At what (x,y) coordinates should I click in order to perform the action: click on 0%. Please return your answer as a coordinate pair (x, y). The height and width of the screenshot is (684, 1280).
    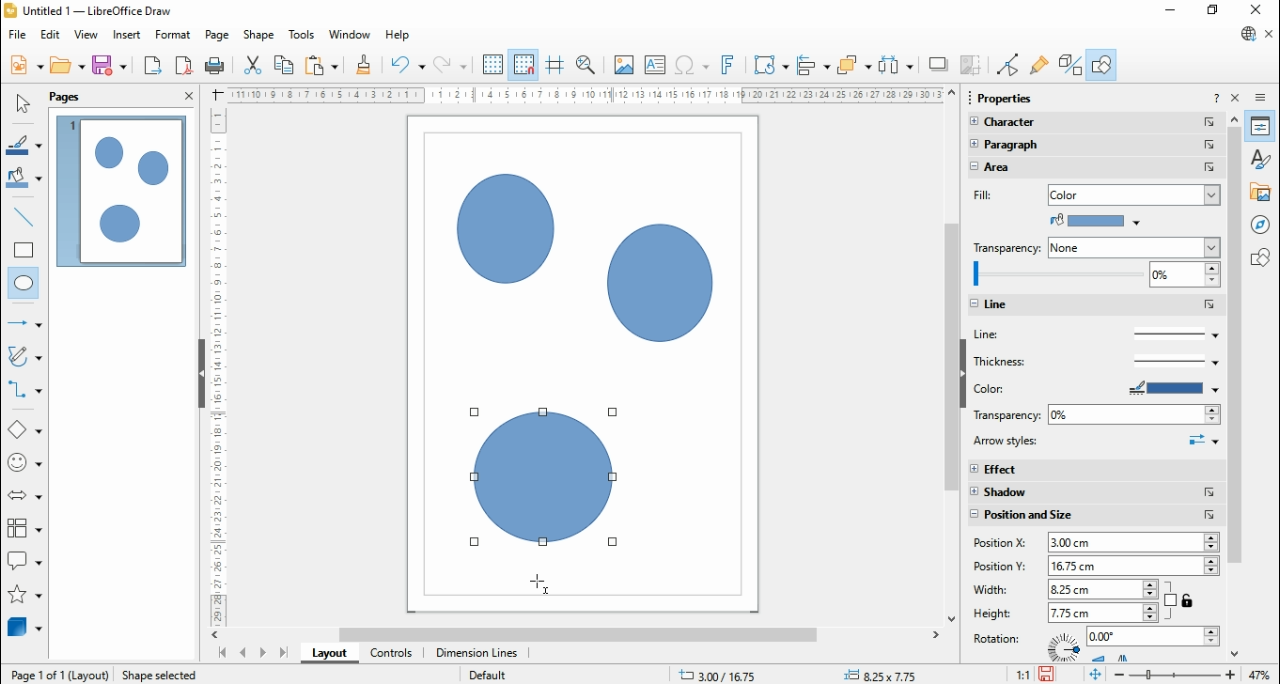
    Looking at the image, I should click on (1134, 415).